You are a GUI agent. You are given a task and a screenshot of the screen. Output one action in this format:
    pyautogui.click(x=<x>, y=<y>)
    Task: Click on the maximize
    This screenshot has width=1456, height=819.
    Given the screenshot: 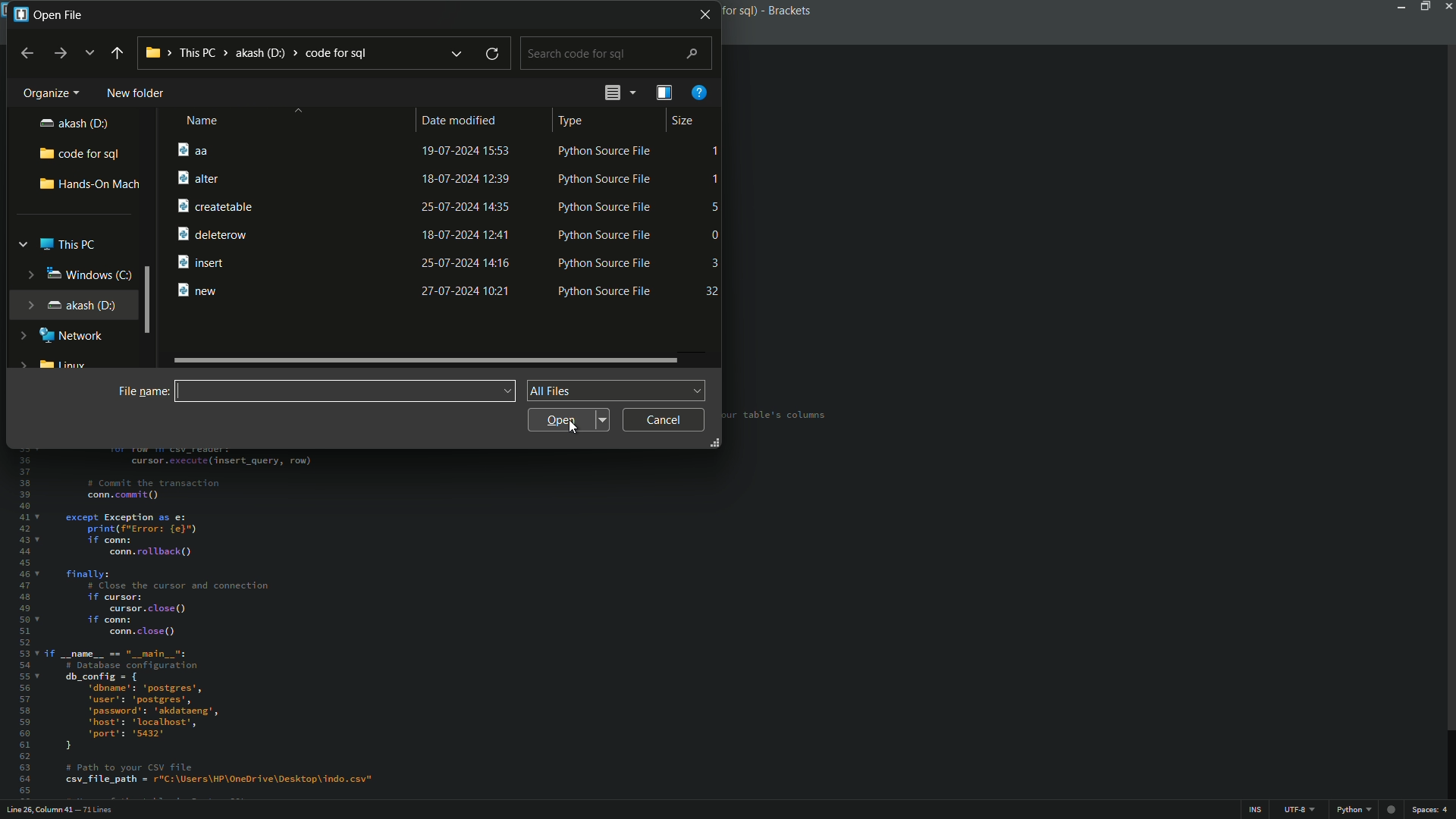 What is the action you would take?
    pyautogui.click(x=1424, y=6)
    